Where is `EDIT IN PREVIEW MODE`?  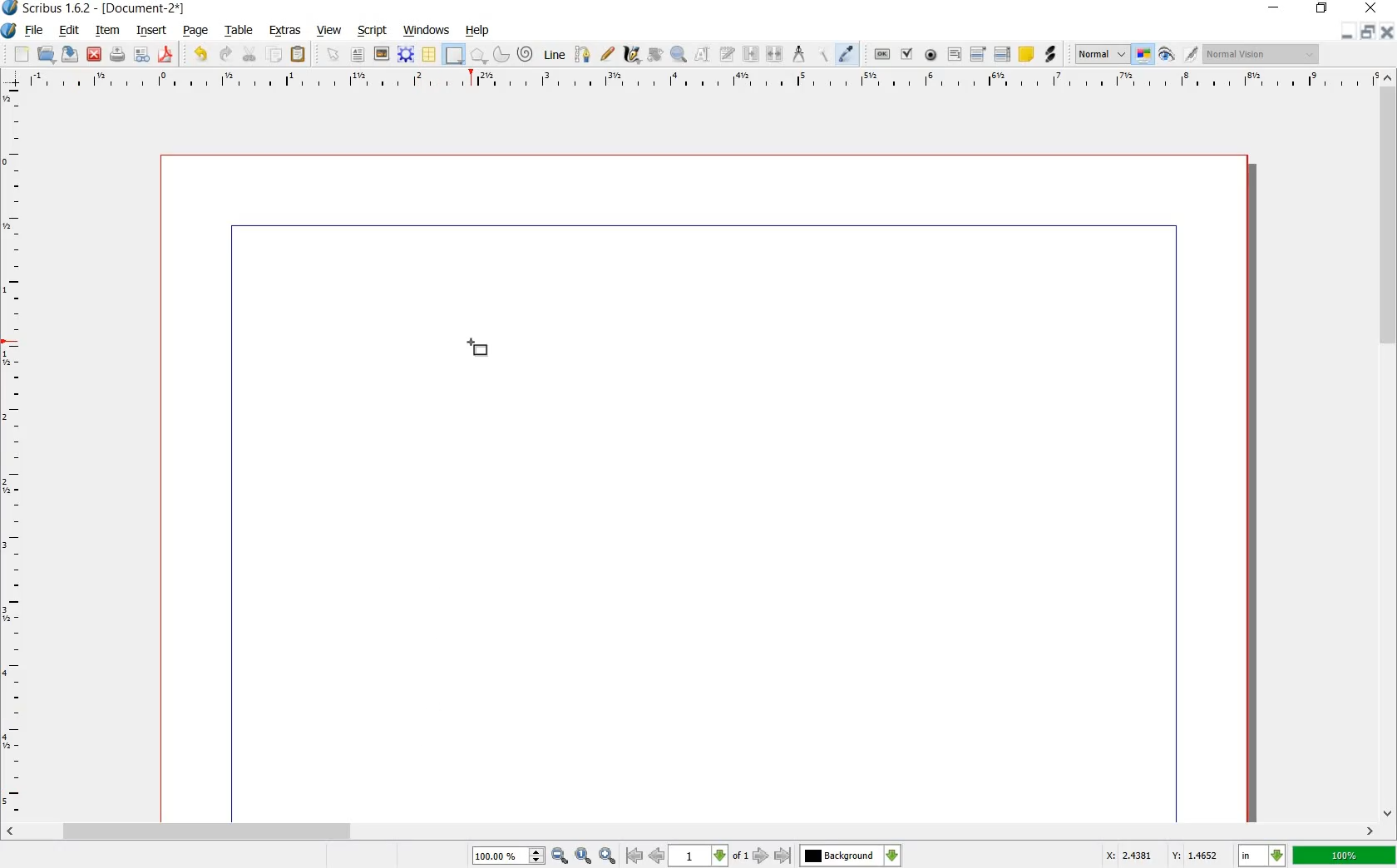 EDIT IN PREVIEW MODE is located at coordinates (1193, 54).